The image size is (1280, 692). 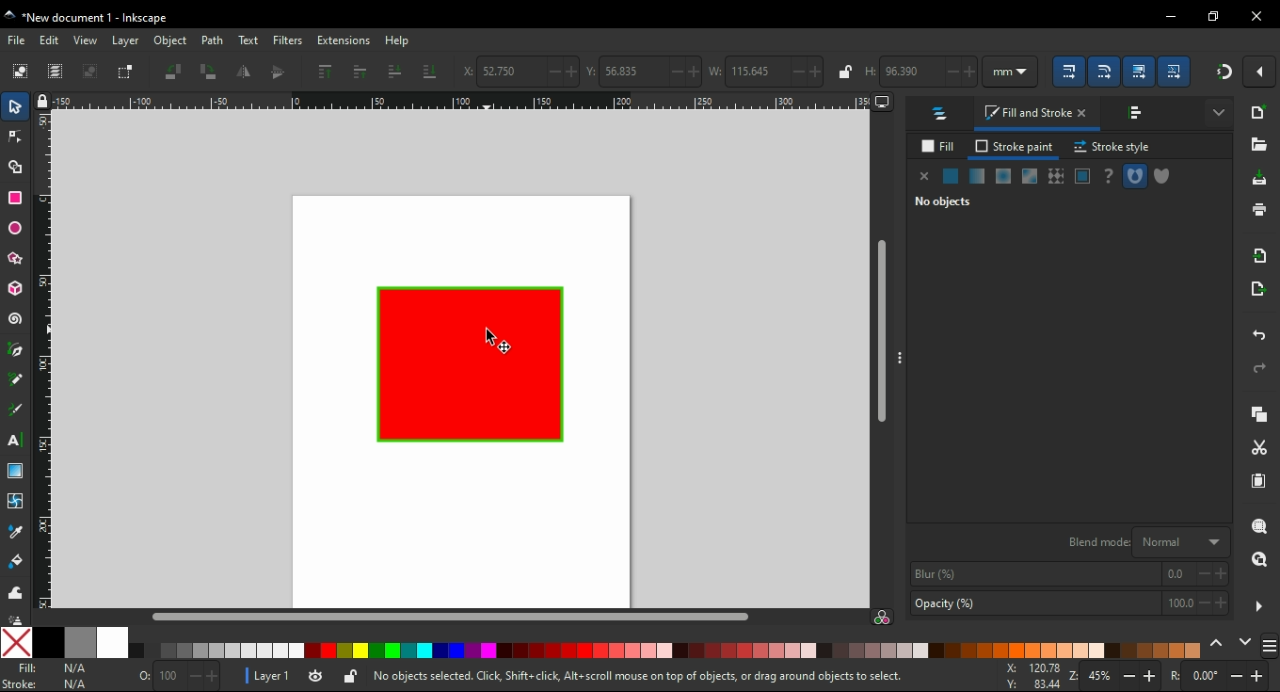 What do you see at coordinates (395, 72) in the screenshot?
I see `lower` at bounding box center [395, 72].